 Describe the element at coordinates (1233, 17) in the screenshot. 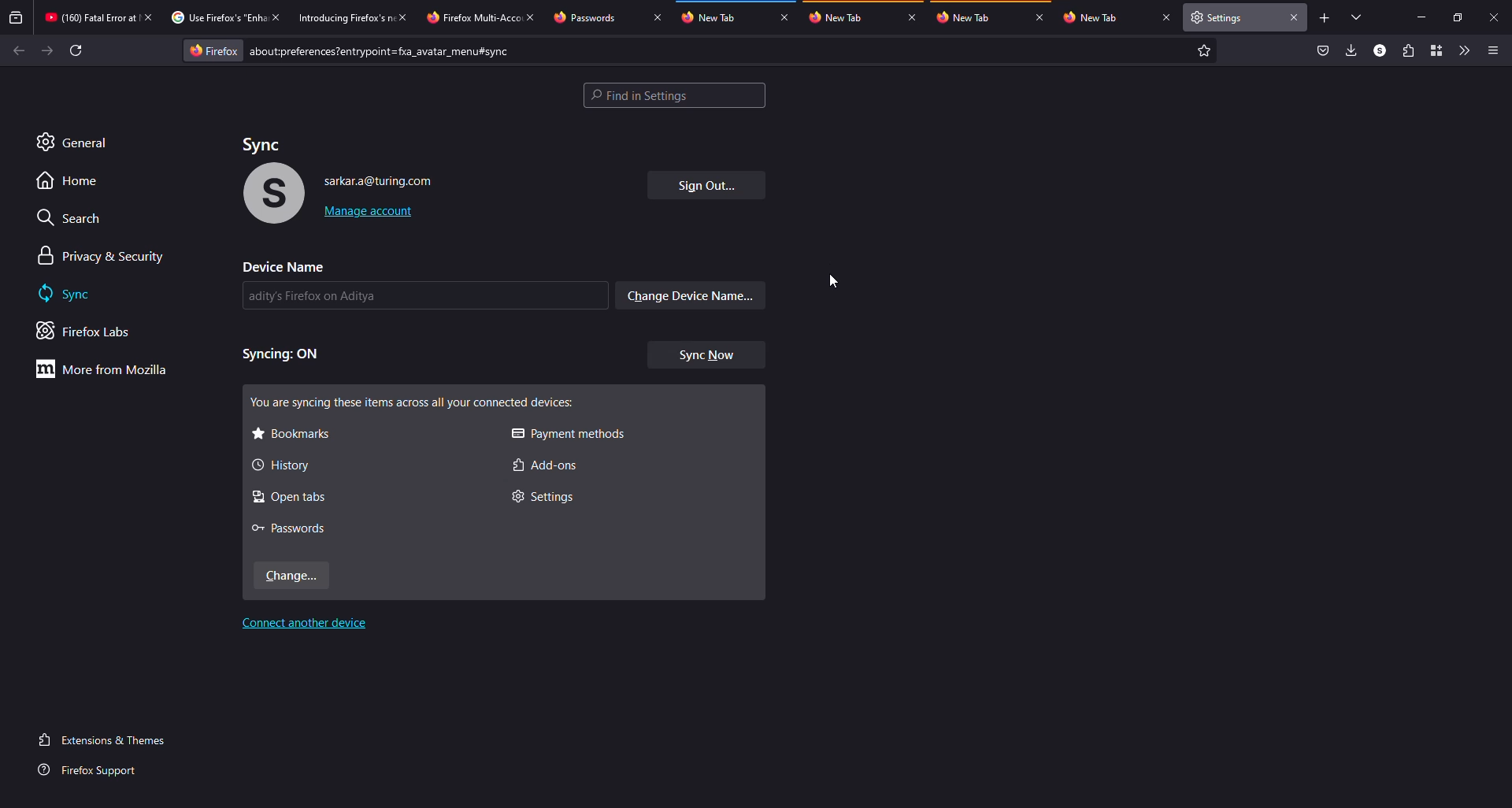

I see `tab` at that location.